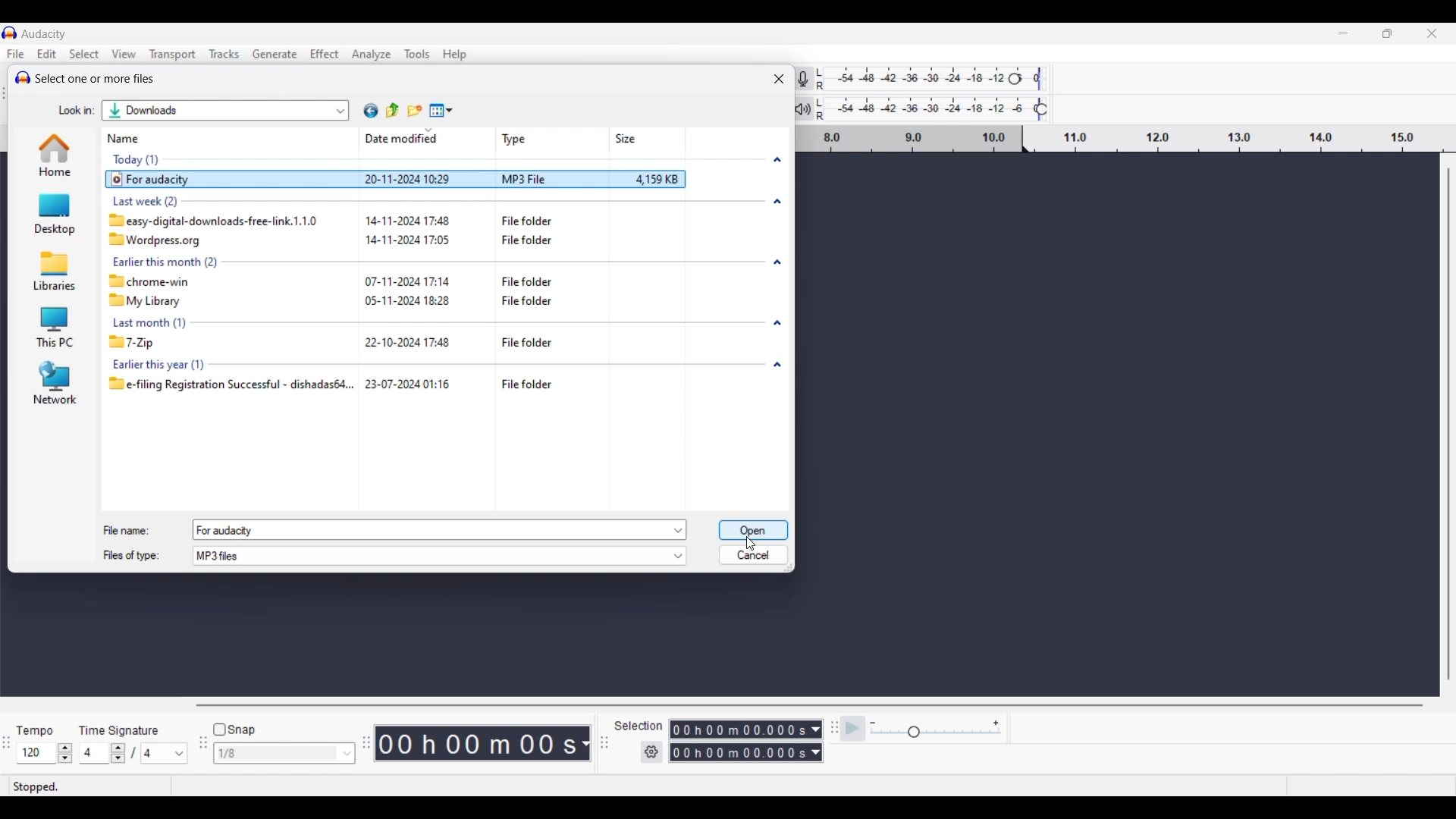  Describe the element at coordinates (854, 729) in the screenshot. I see `Play-at-speed/Play-at-speed once` at that location.